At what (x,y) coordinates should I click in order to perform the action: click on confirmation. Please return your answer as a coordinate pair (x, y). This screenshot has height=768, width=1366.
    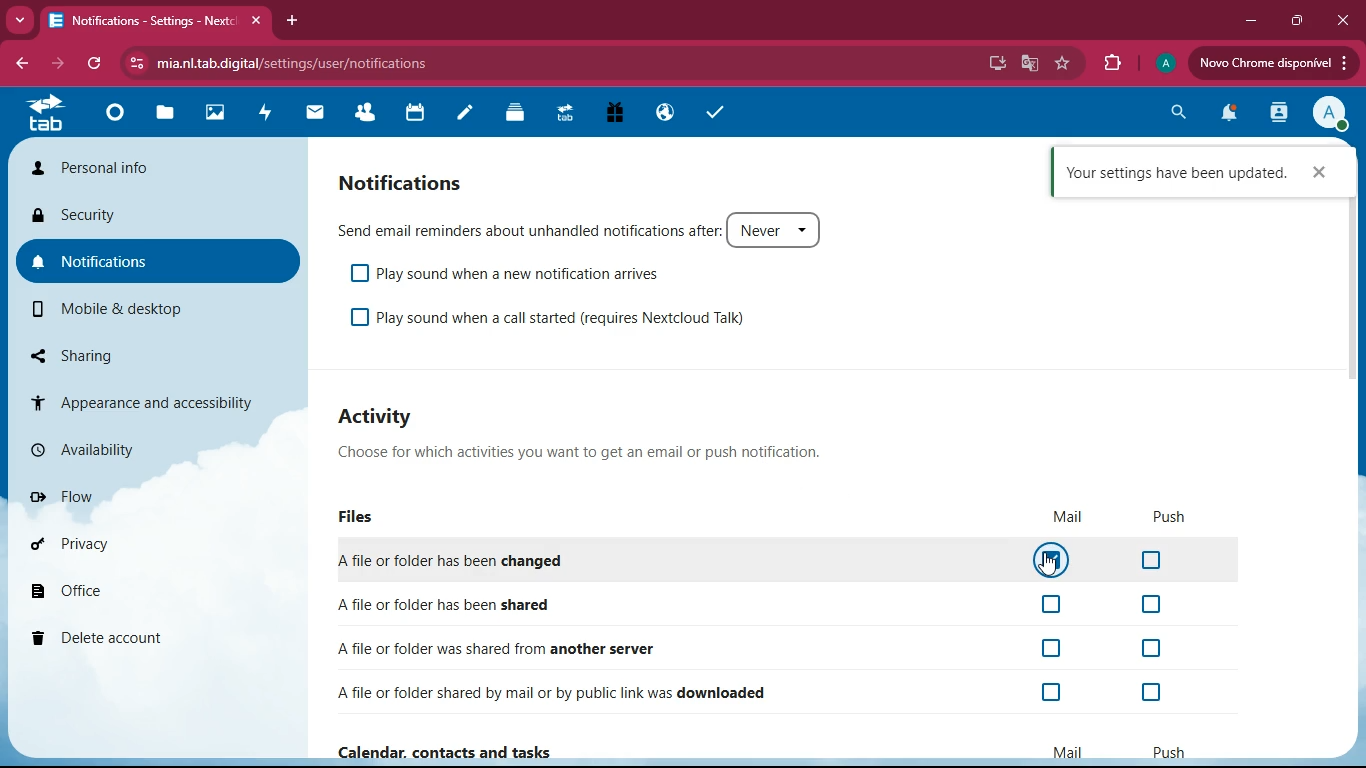
    Looking at the image, I should click on (1175, 173).